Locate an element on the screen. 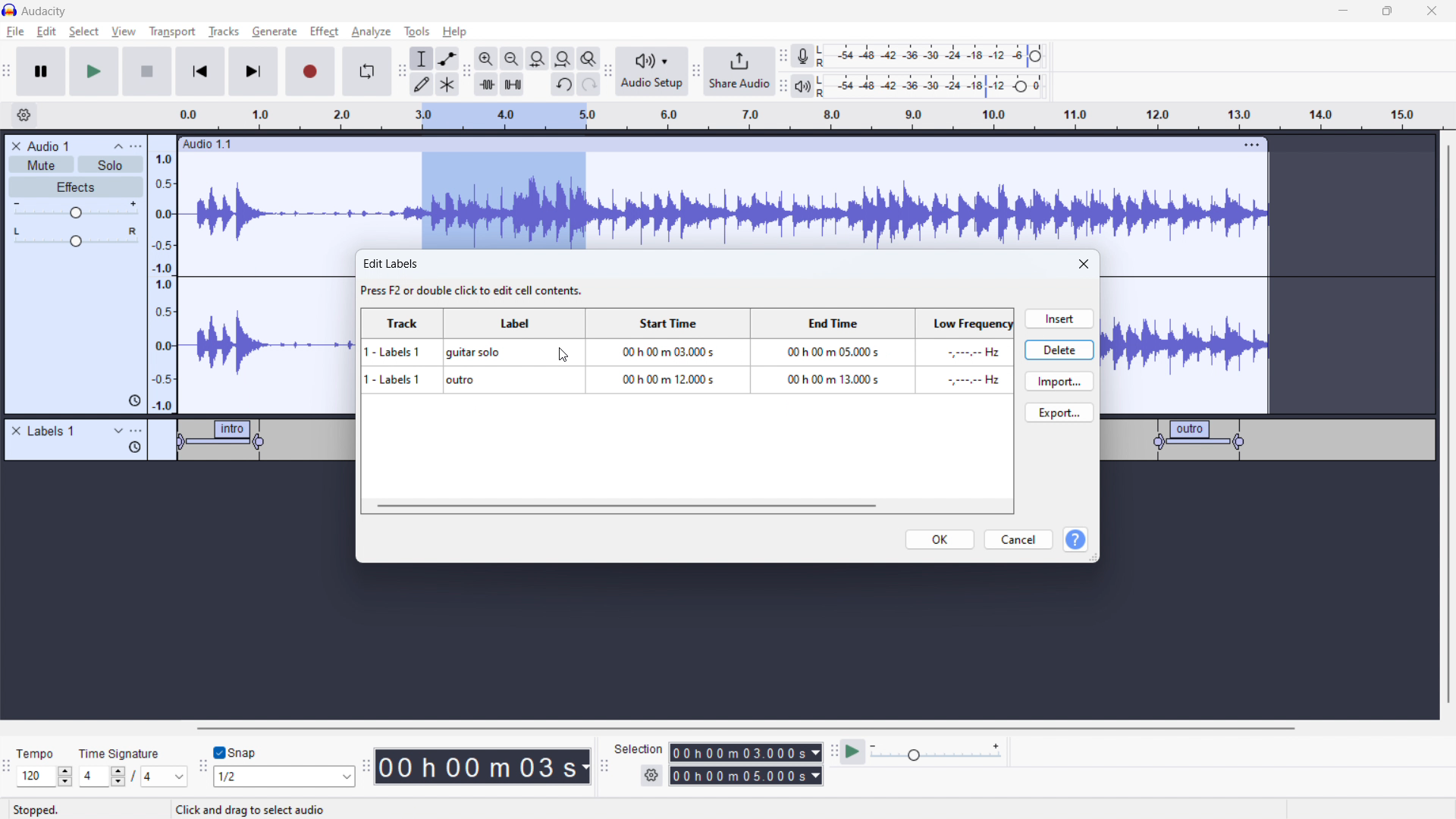 This screenshot has width=1456, height=819. end time is located at coordinates (829, 365).